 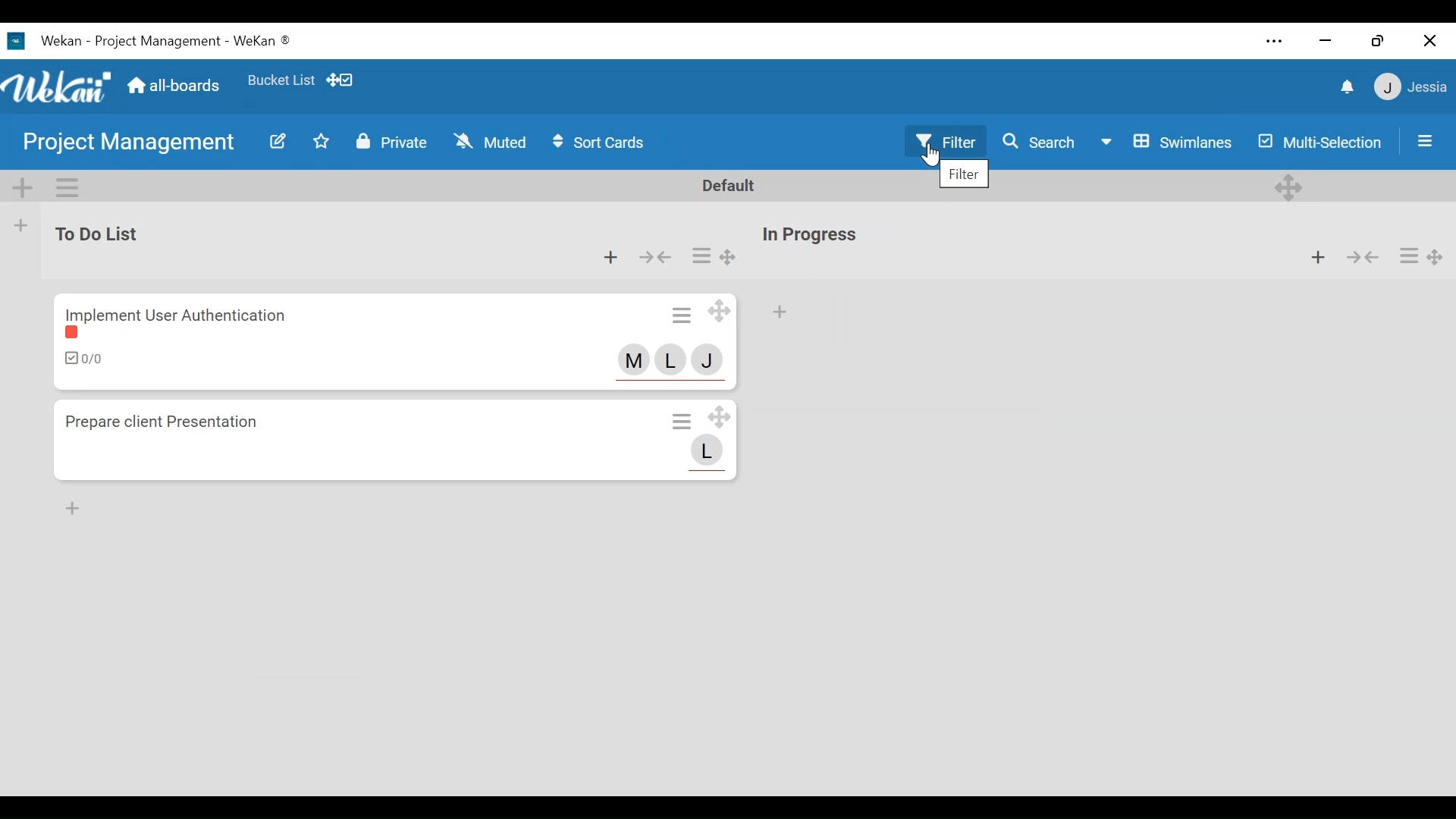 What do you see at coordinates (129, 231) in the screenshot?
I see `to do List` at bounding box center [129, 231].